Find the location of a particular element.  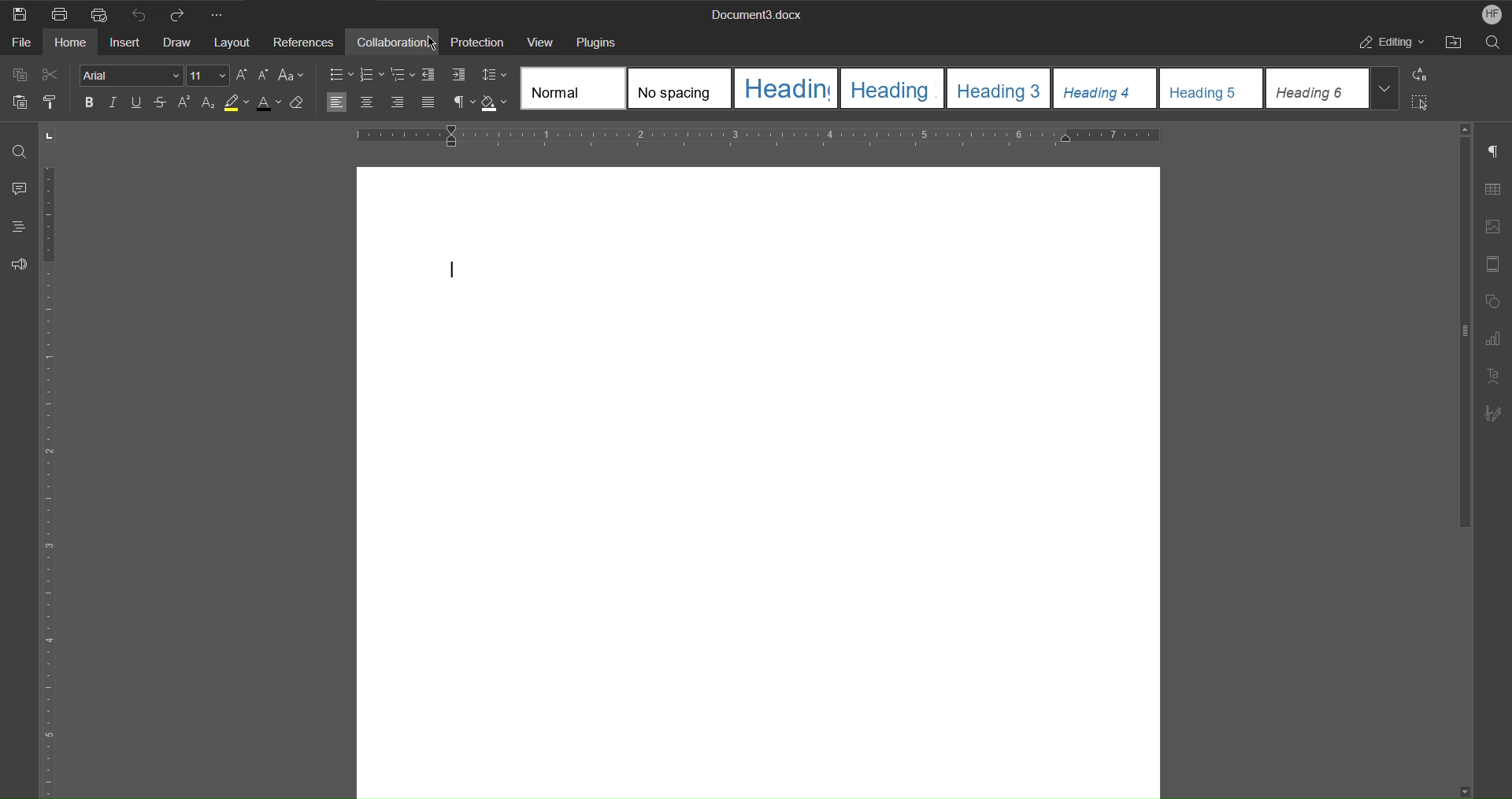

Header/Footer is located at coordinates (1495, 262).